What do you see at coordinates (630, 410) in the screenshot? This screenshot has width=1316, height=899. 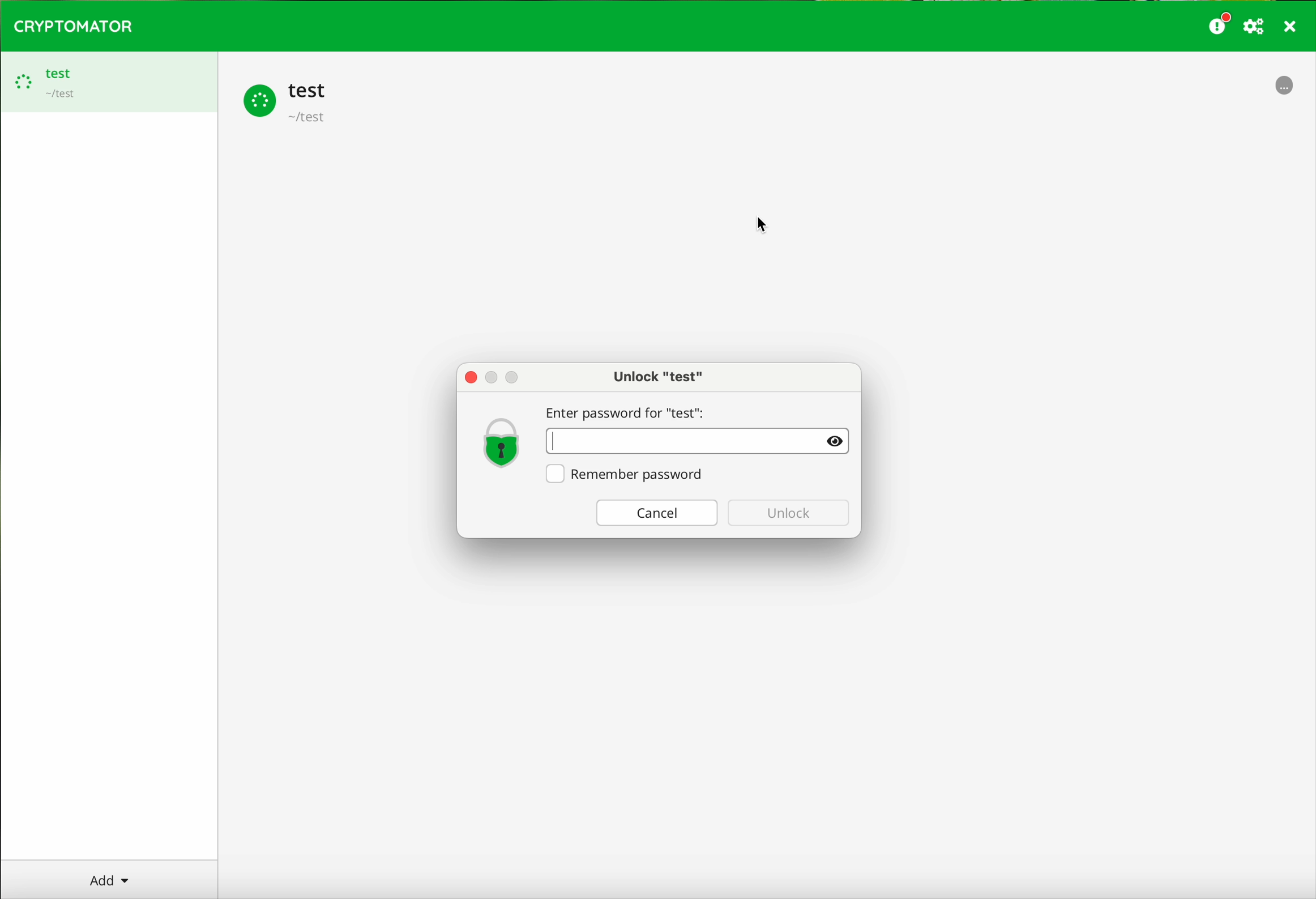 I see `Enter password for "test":` at bounding box center [630, 410].